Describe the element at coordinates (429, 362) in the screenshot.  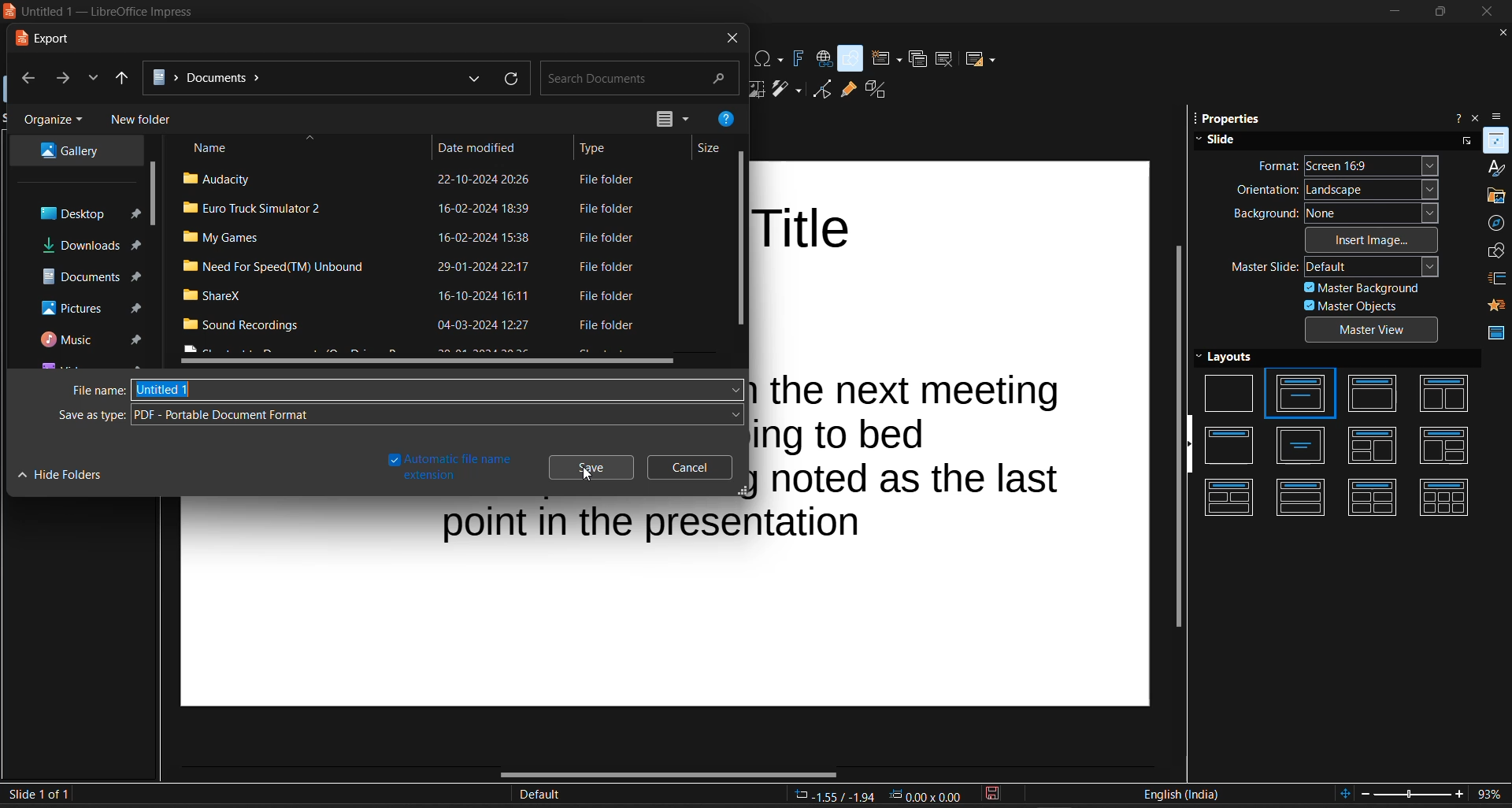
I see `horizontal scroll bar` at that location.